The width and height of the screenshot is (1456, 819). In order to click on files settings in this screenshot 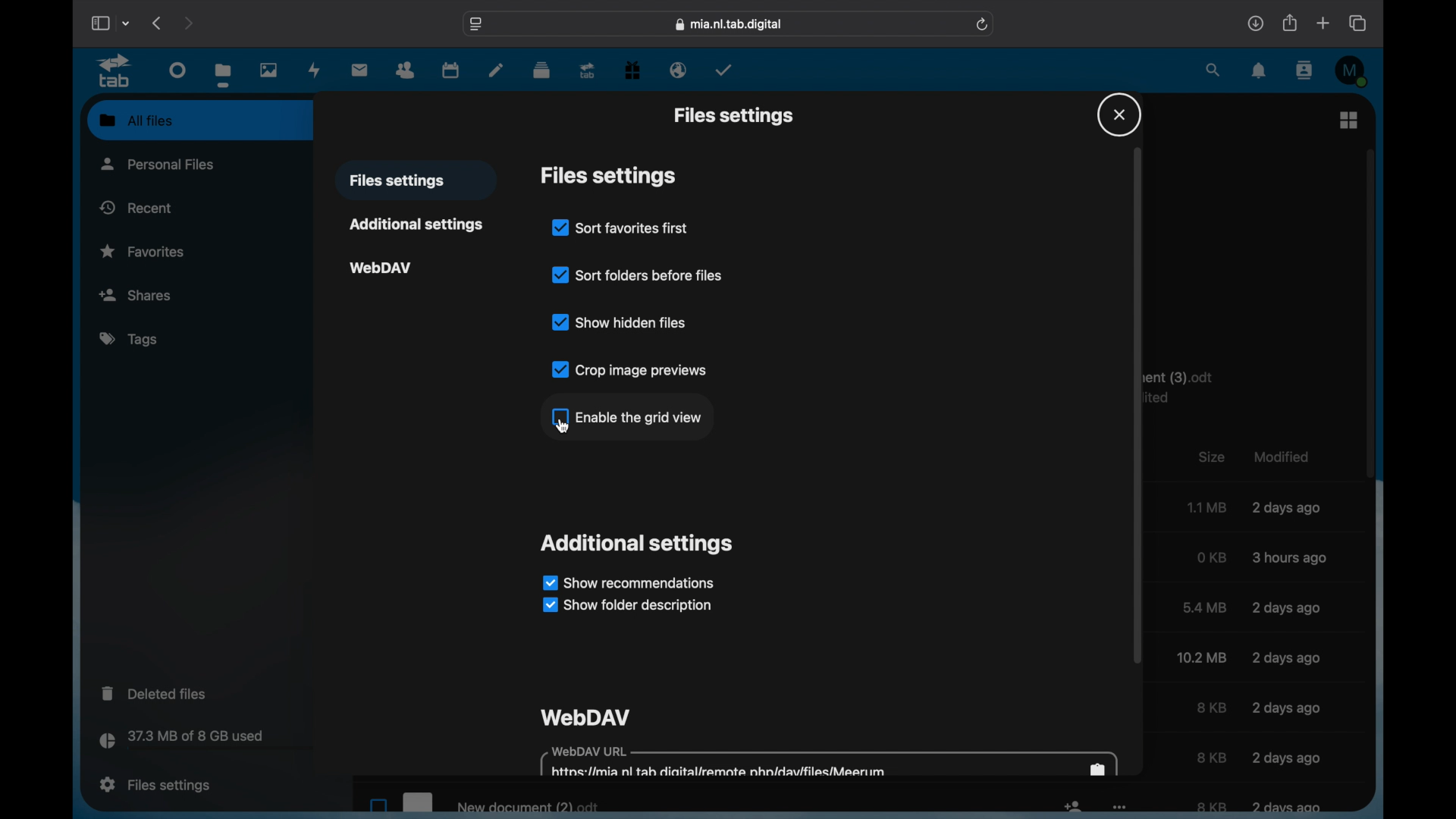, I will do `click(397, 181)`.